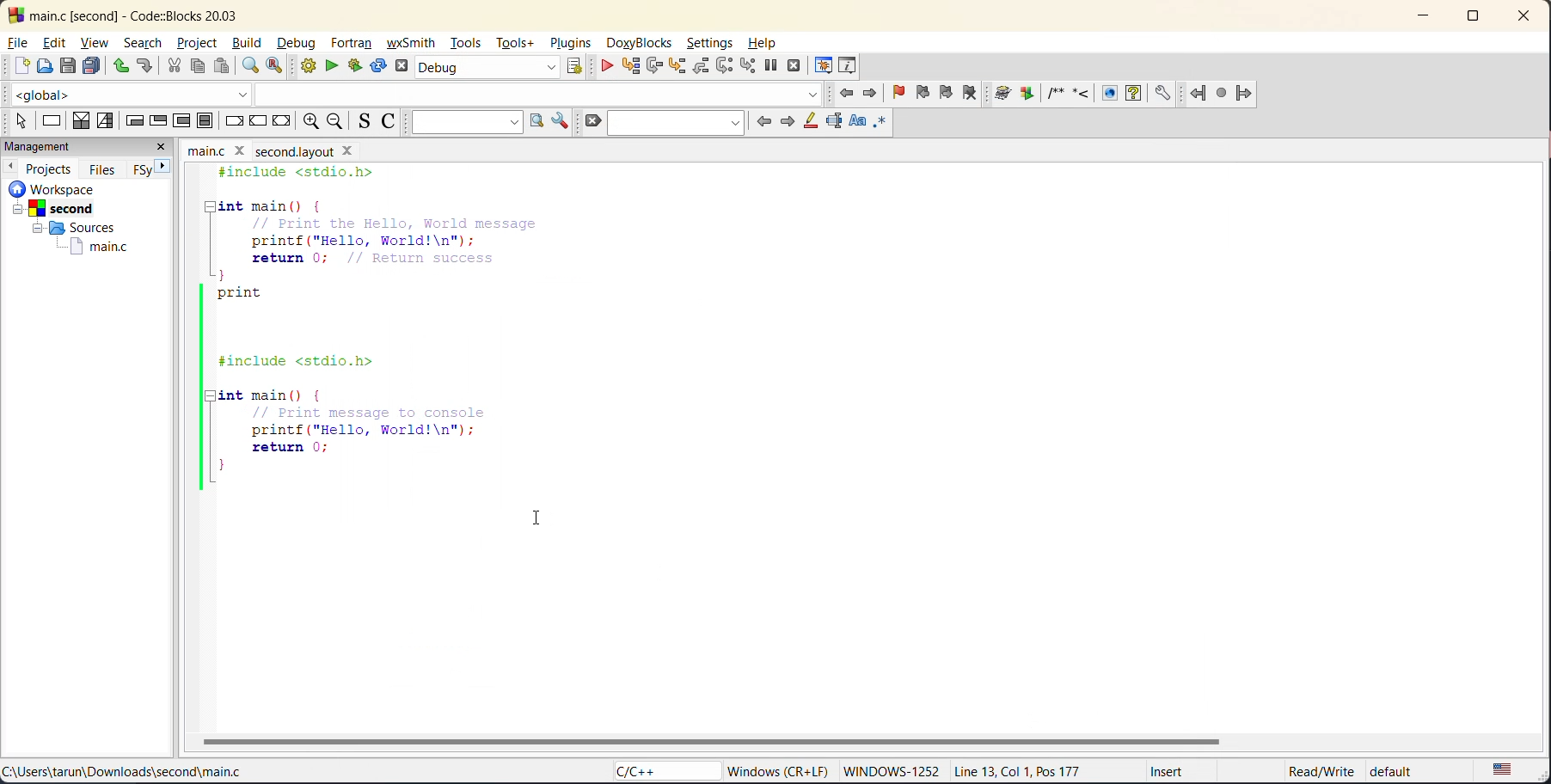  Describe the element at coordinates (556, 121) in the screenshot. I see `show options window` at that location.